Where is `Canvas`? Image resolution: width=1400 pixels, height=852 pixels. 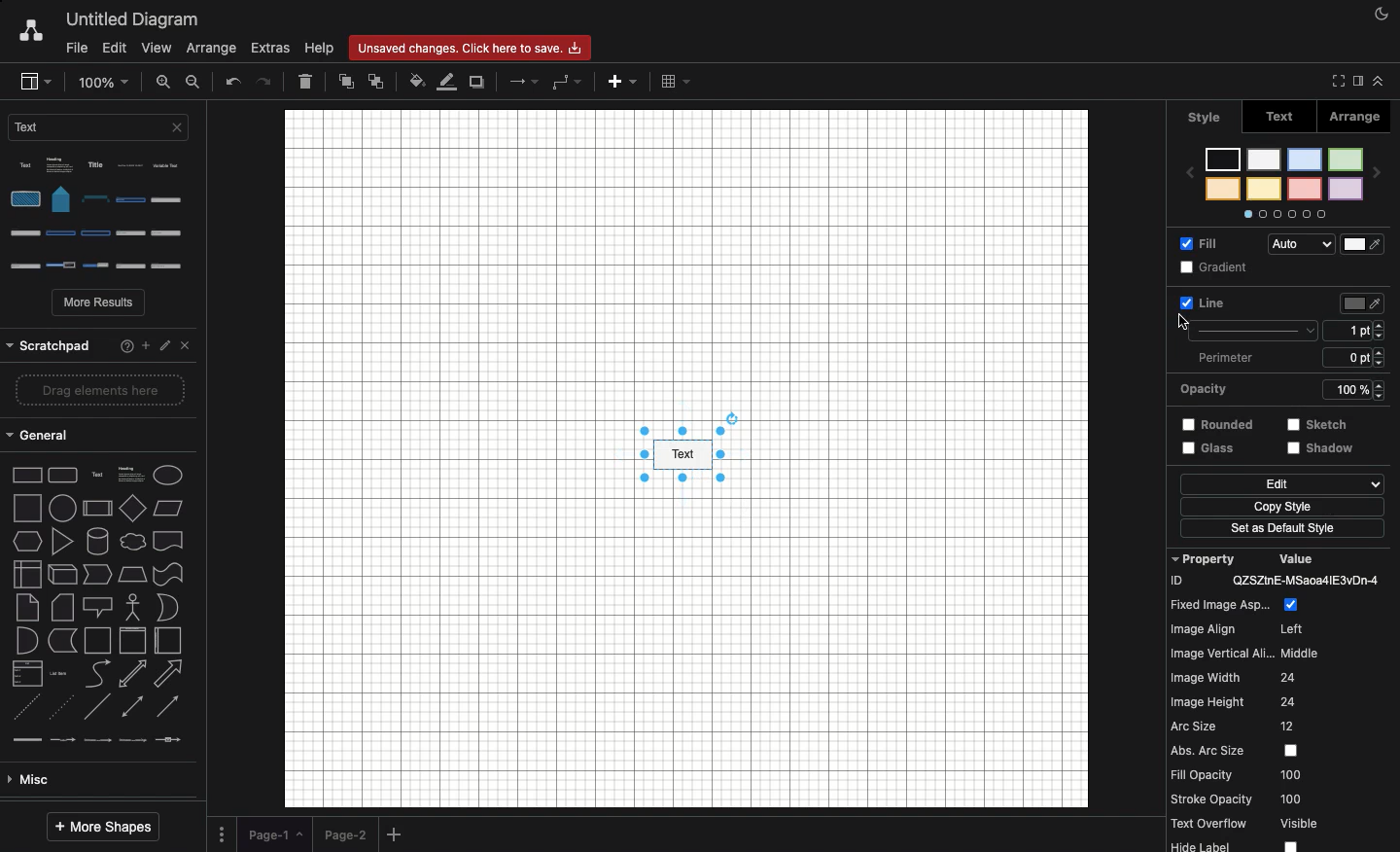
Canvas is located at coordinates (686, 459).